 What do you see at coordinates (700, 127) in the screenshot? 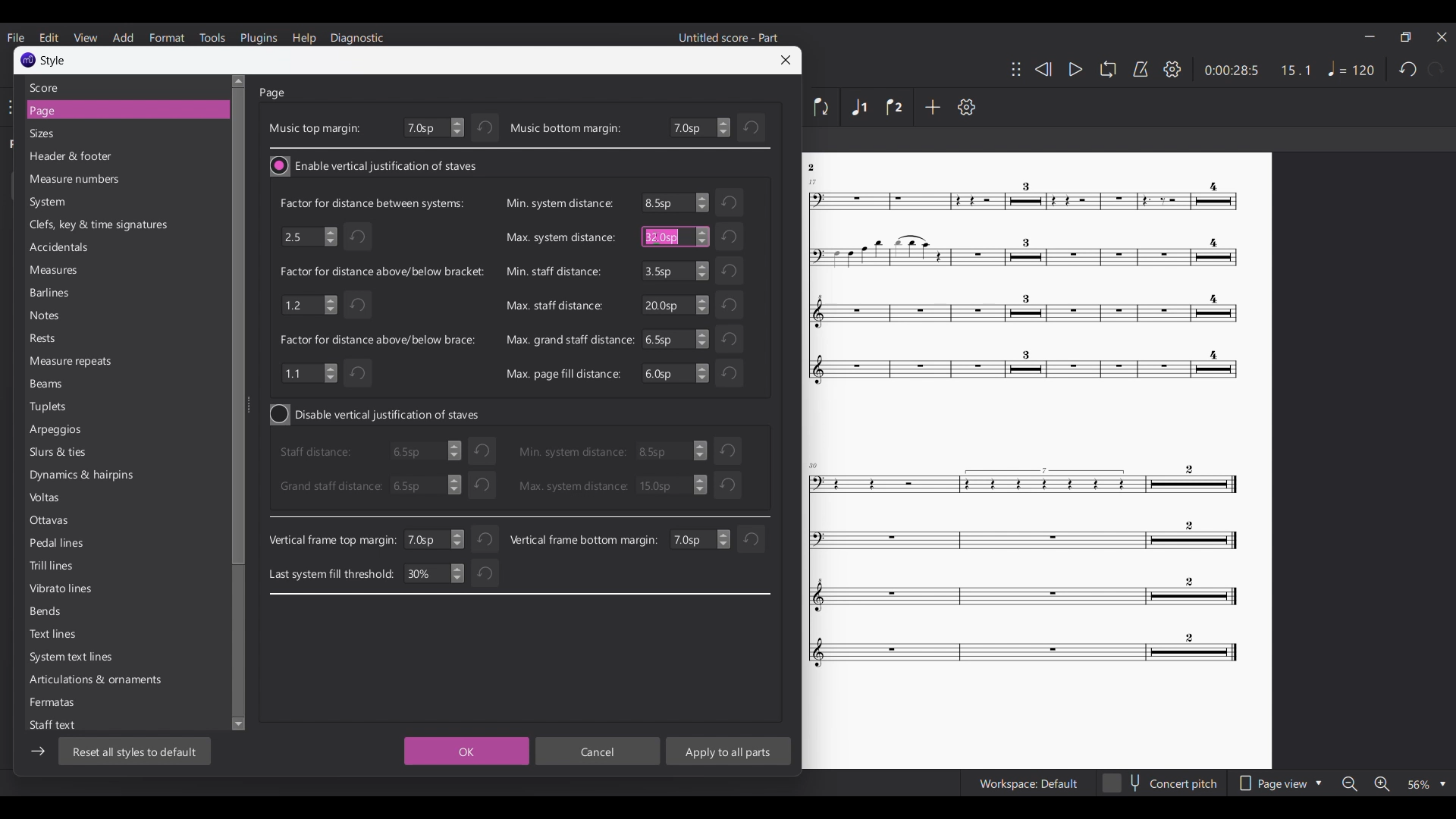
I see `Bottom margin settings` at bounding box center [700, 127].